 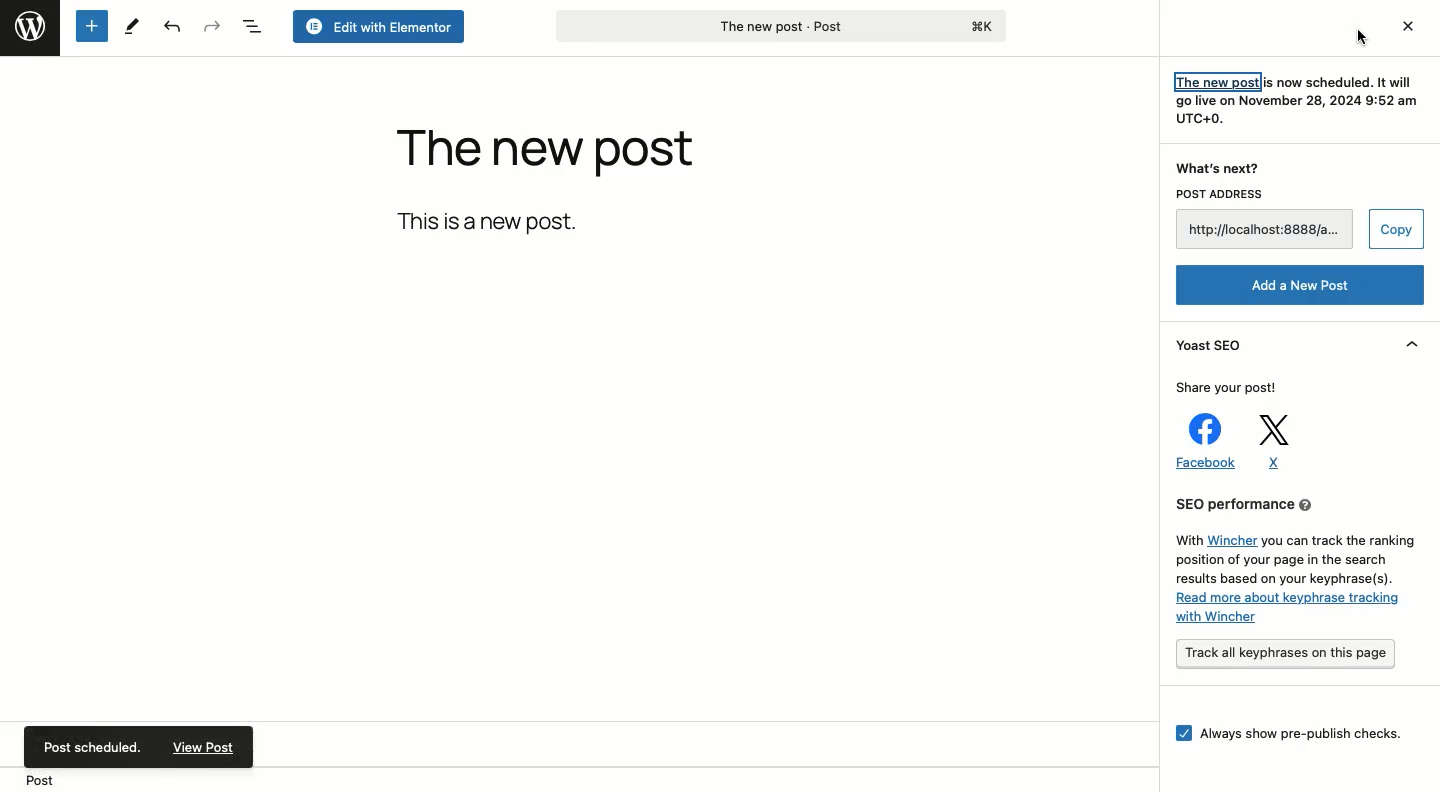 What do you see at coordinates (492, 221) in the screenshot?
I see `This is a new post.` at bounding box center [492, 221].